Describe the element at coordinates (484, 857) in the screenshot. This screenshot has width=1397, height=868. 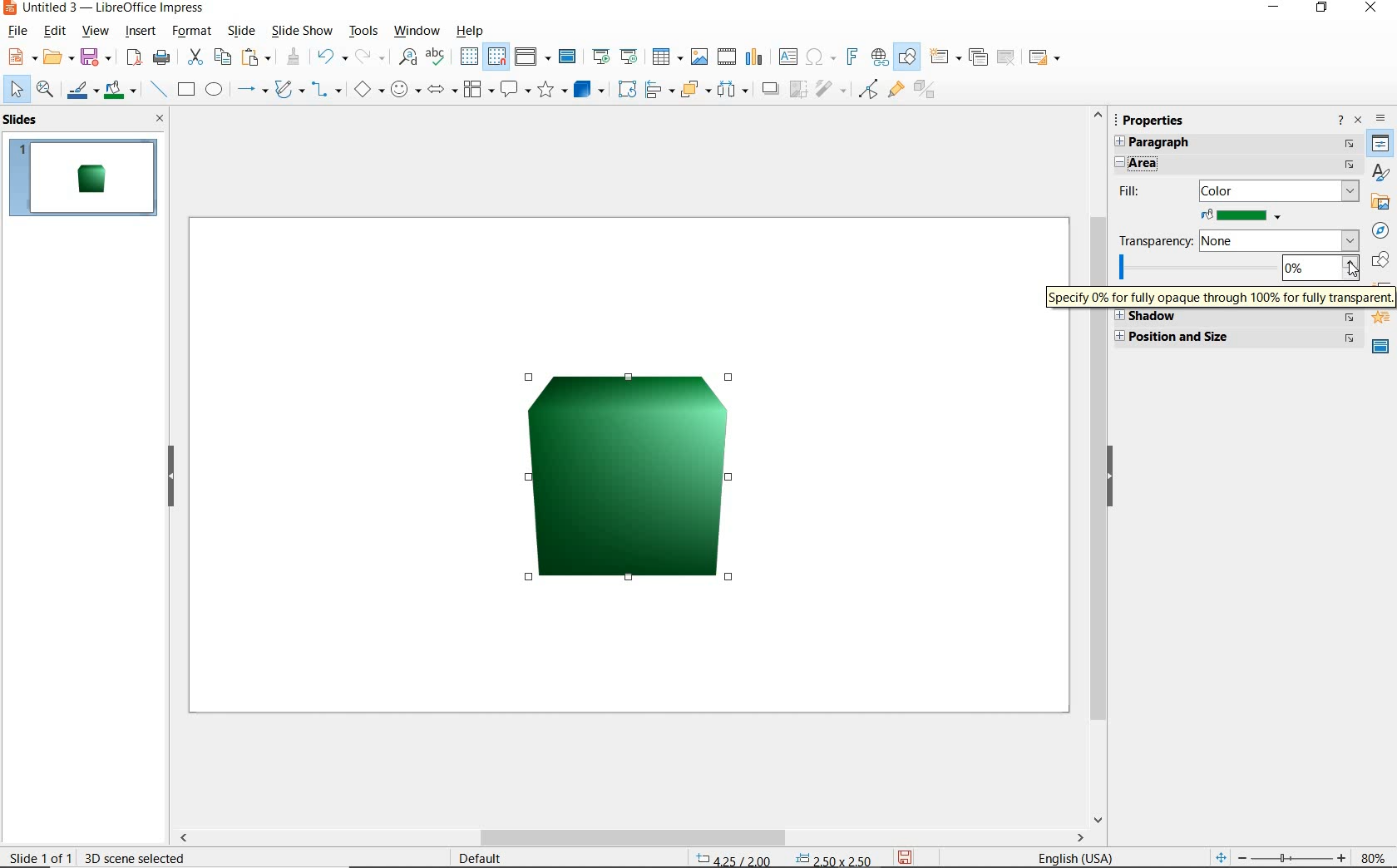
I see `DEFAULT` at that location.